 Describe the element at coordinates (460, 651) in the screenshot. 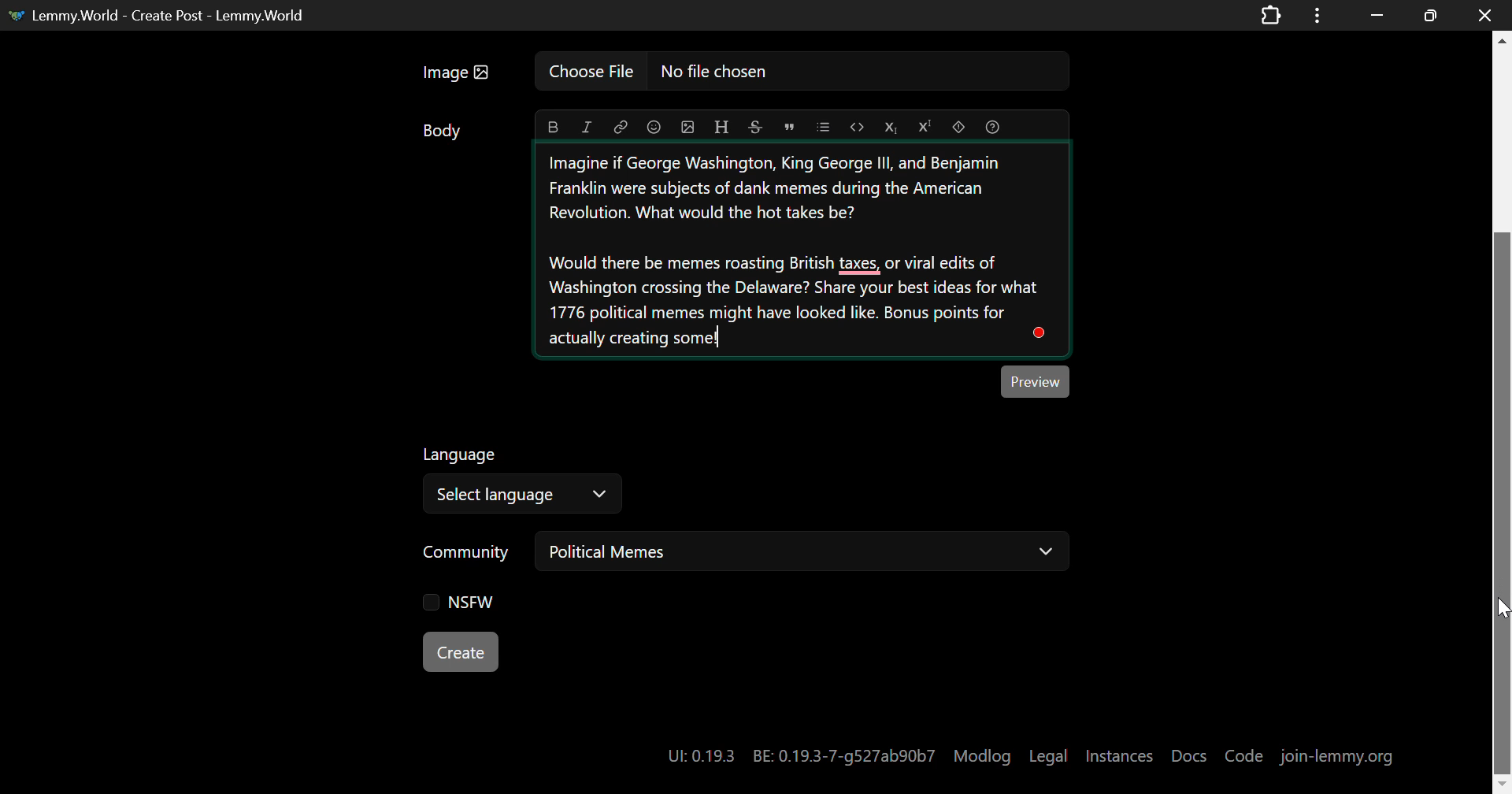

I see `Create` at that location.